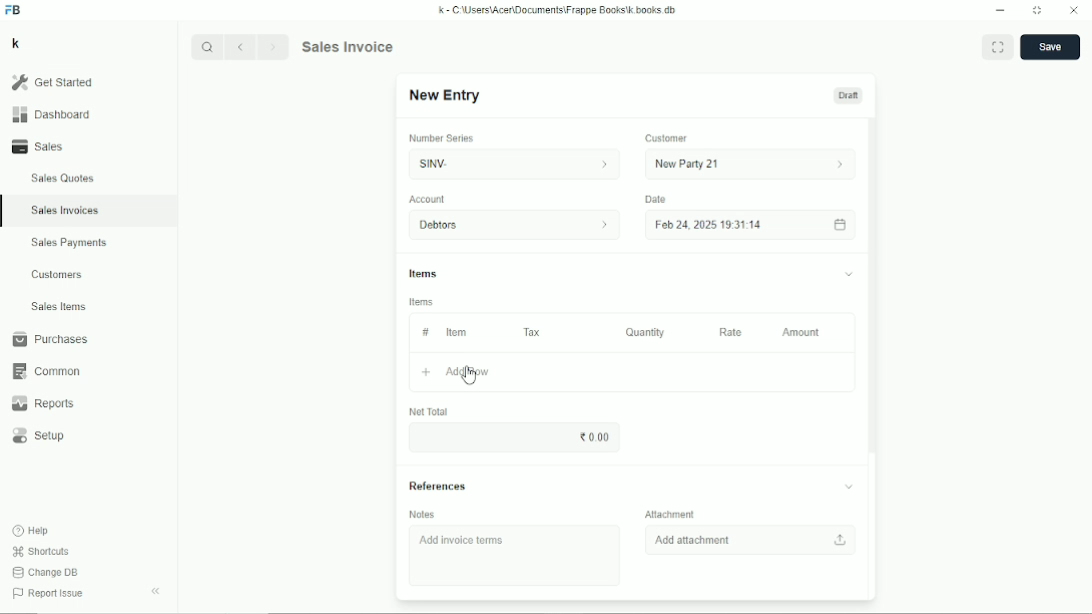 The image size is (1092, 614). What do you see at coordinates (516, 225) in the screenshot?
I see `Debtors` at bounding box center [516, 225].